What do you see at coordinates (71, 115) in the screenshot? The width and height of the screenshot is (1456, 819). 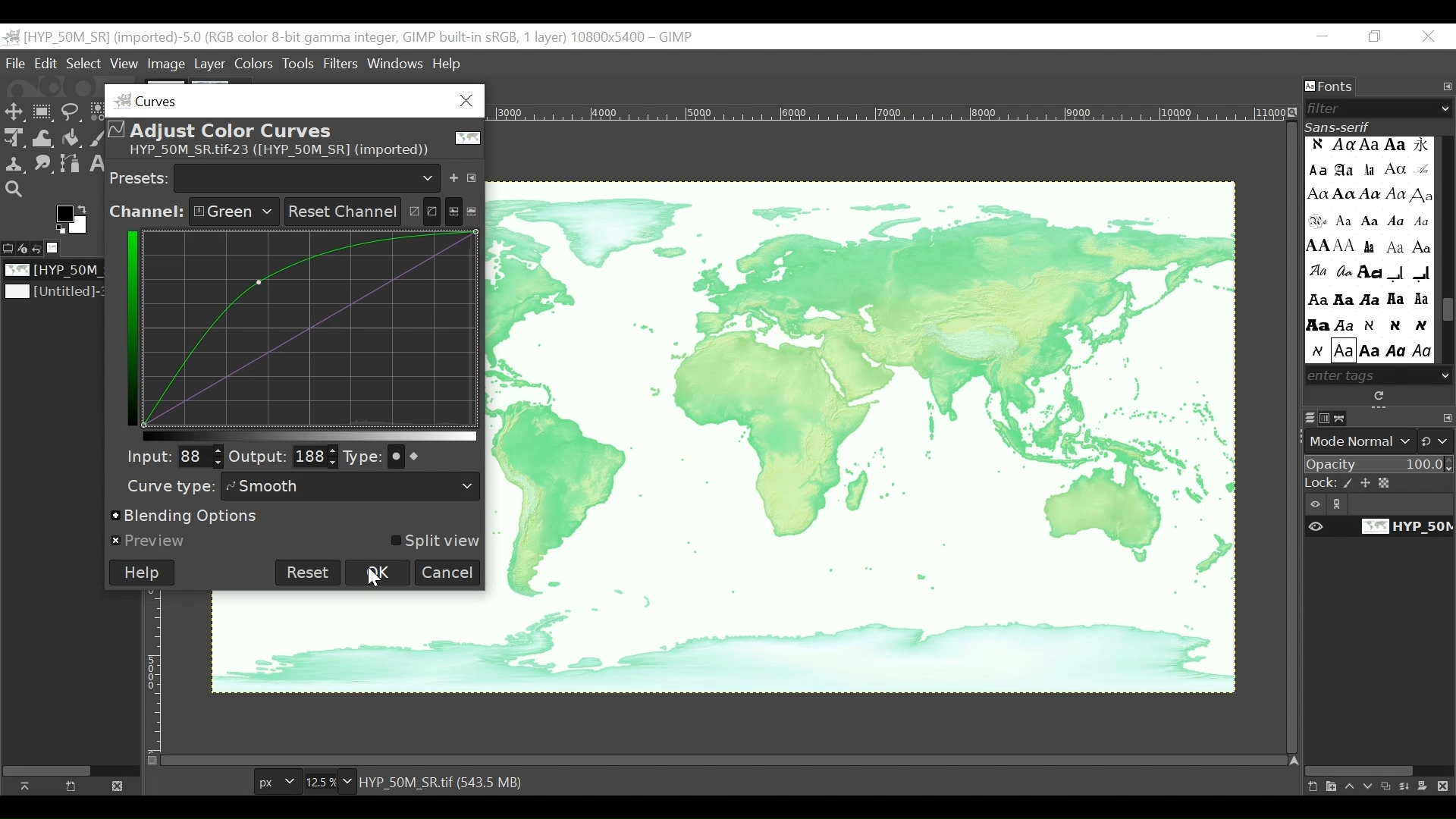 I see `Free To` at bounding box center [71, 115].